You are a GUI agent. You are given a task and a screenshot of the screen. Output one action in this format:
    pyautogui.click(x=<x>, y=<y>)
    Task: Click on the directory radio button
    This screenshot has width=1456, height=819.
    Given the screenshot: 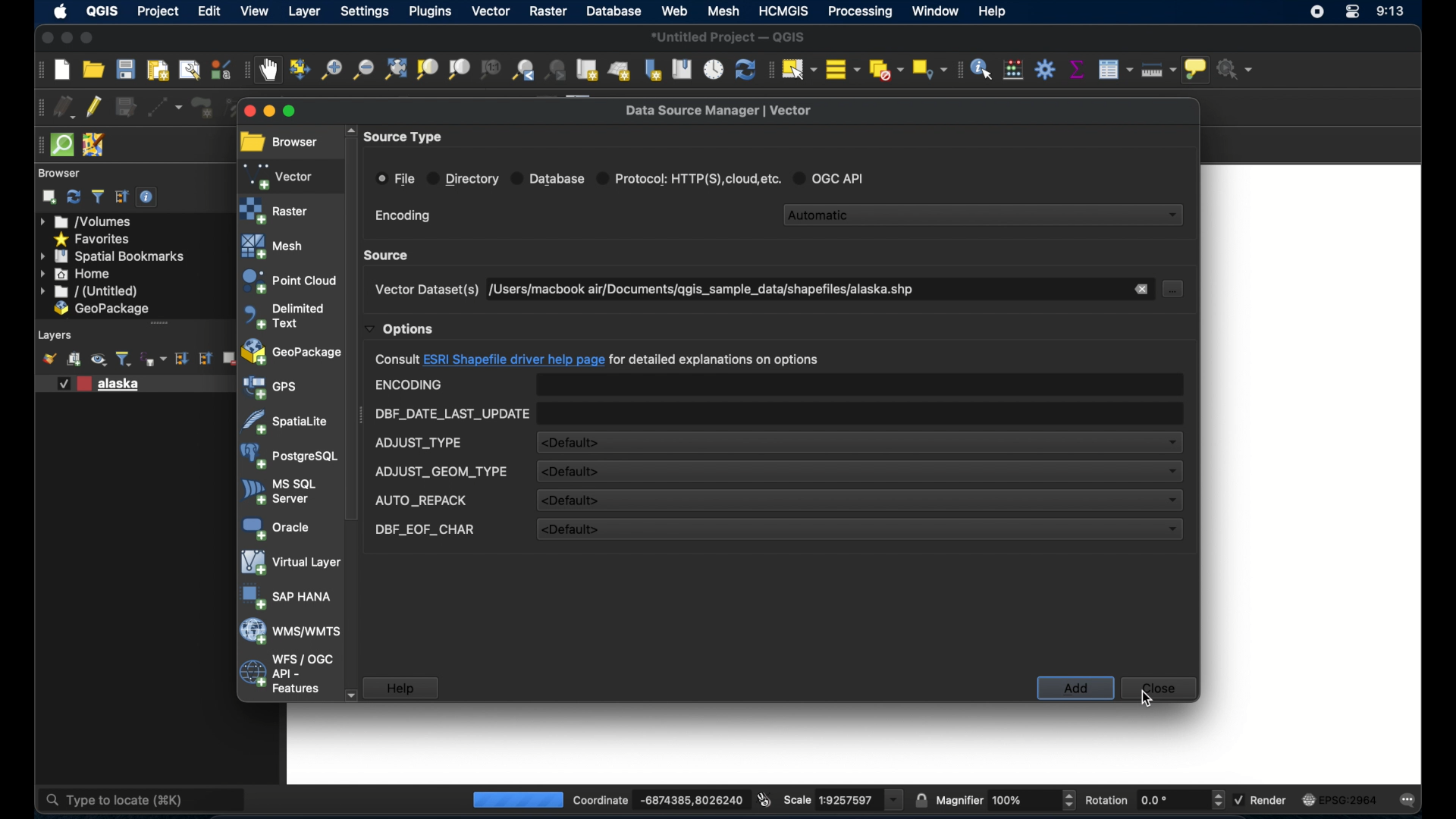 What is the action you would take?
    pyautogui.click(x=463, y=179)
    